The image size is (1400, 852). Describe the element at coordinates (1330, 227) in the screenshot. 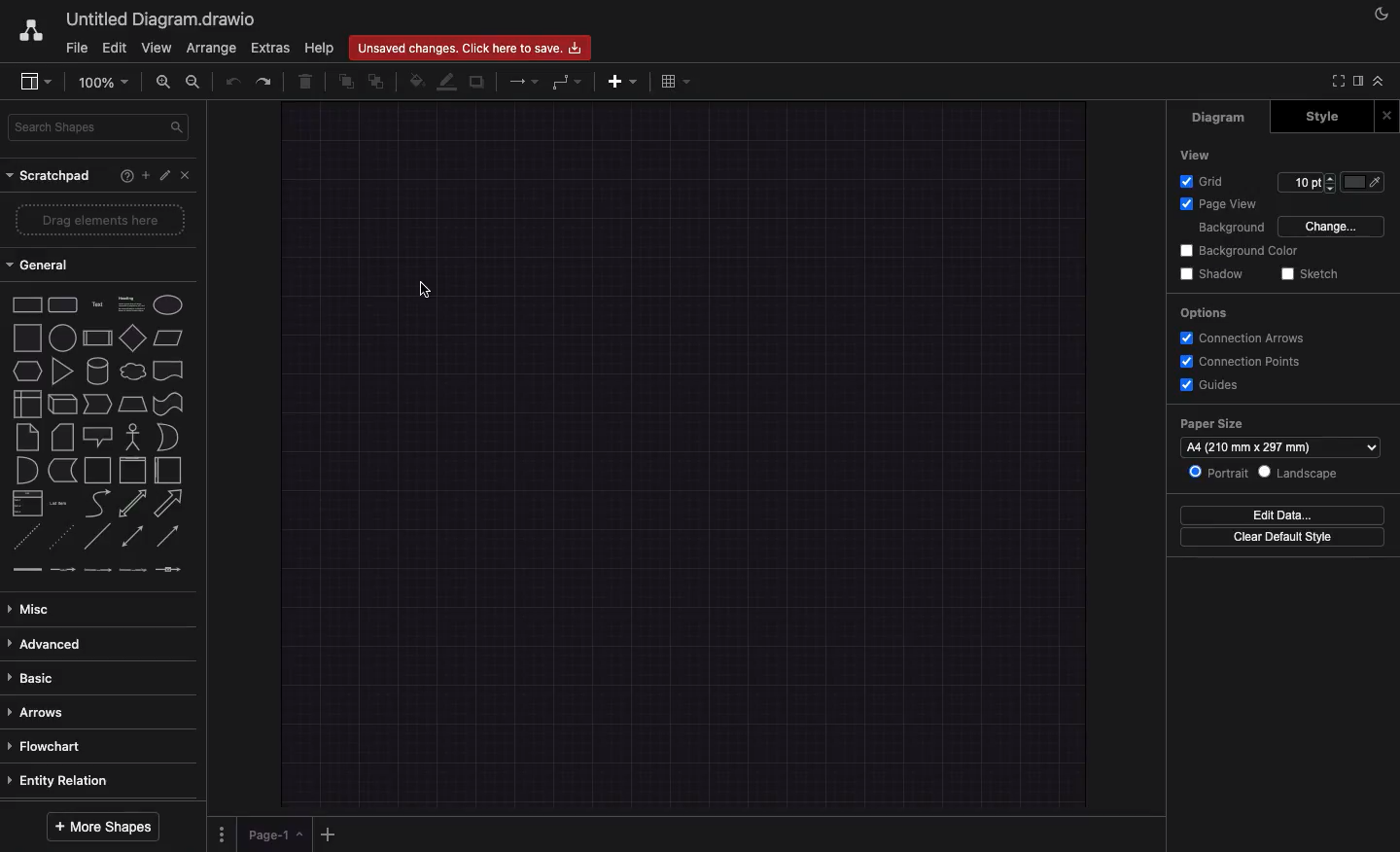

I see `Change` at that location.